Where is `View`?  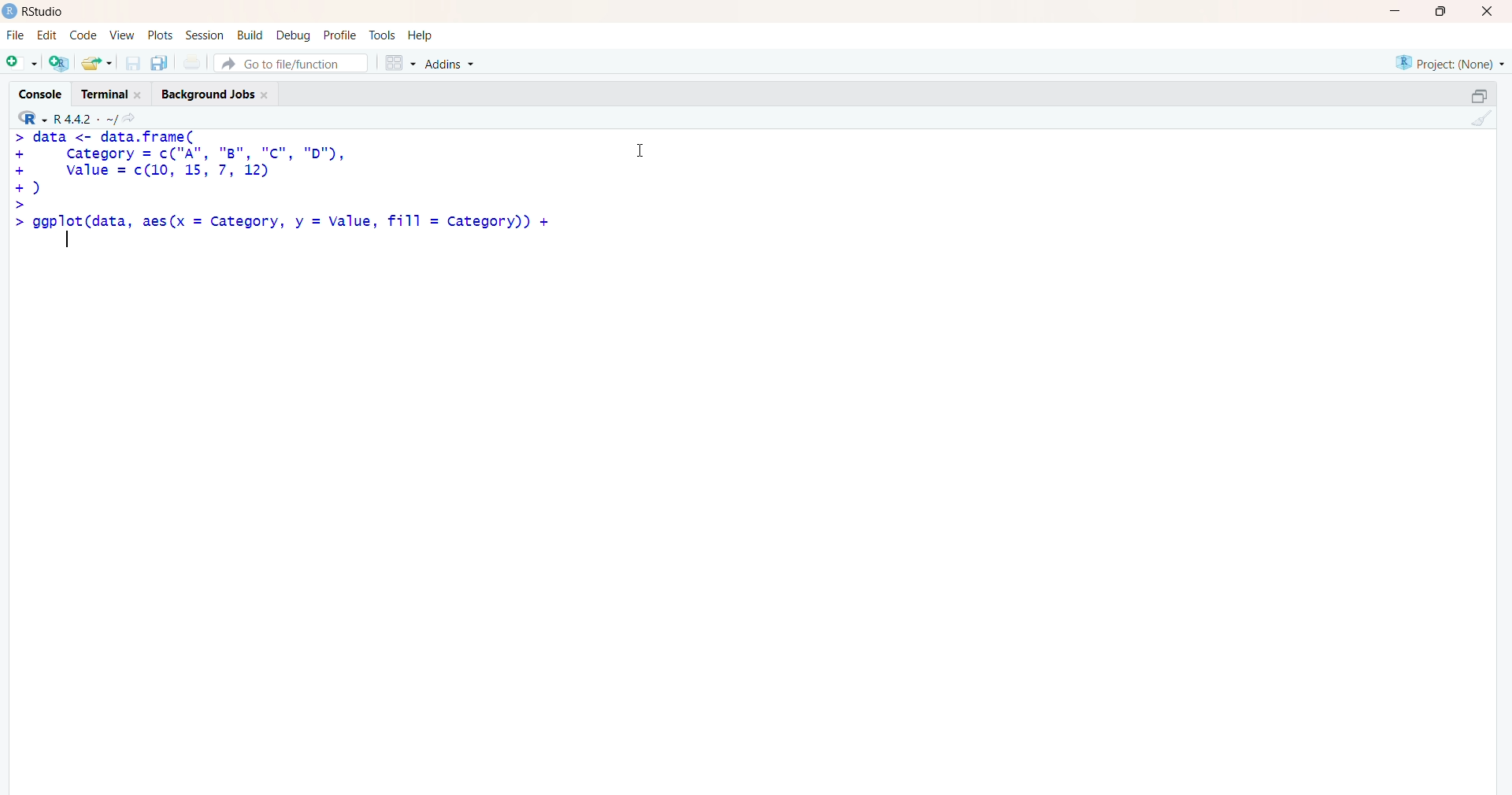 View is located at coordinates (123, 35).